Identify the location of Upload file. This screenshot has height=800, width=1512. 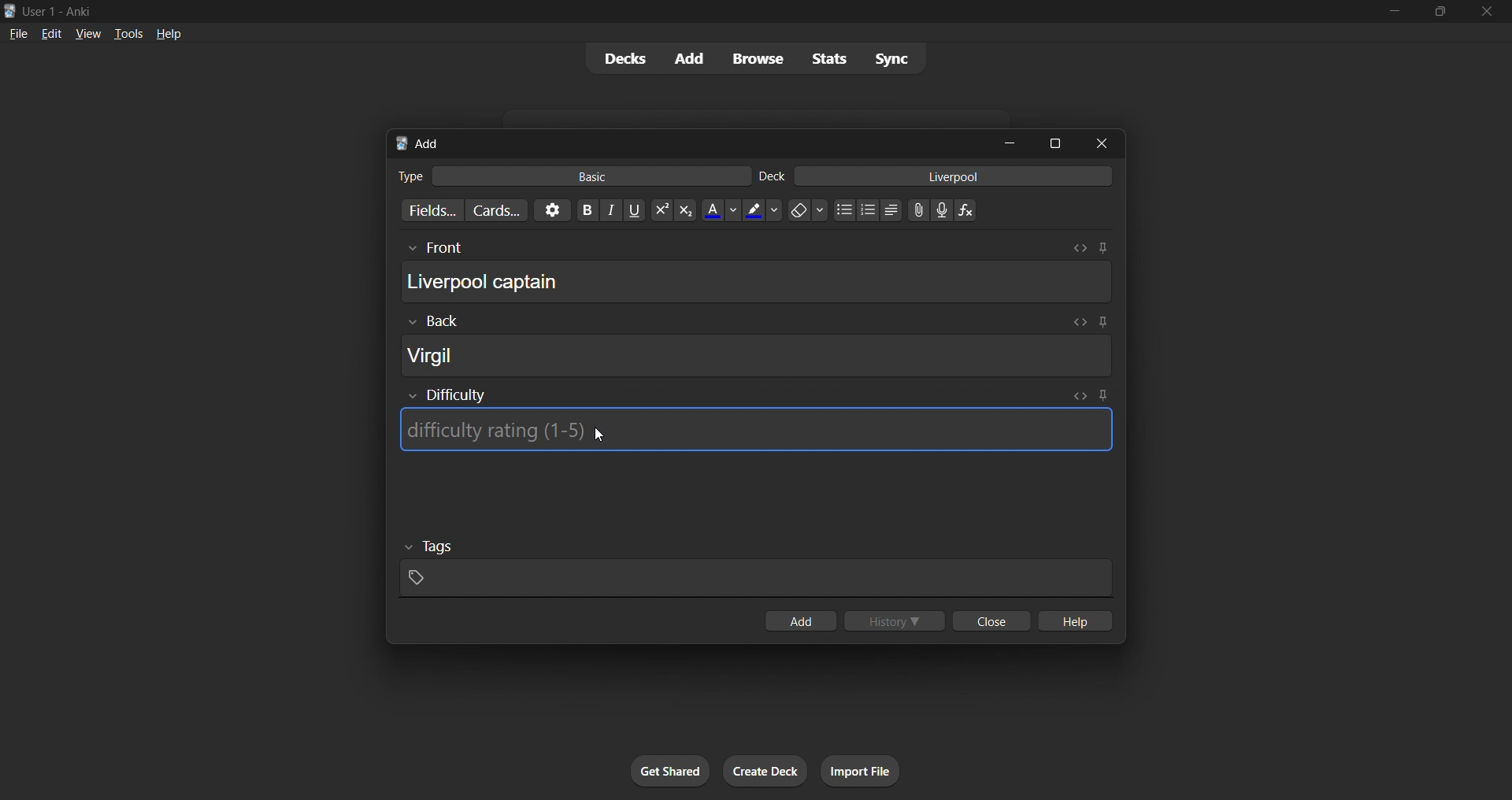
(919, 210).